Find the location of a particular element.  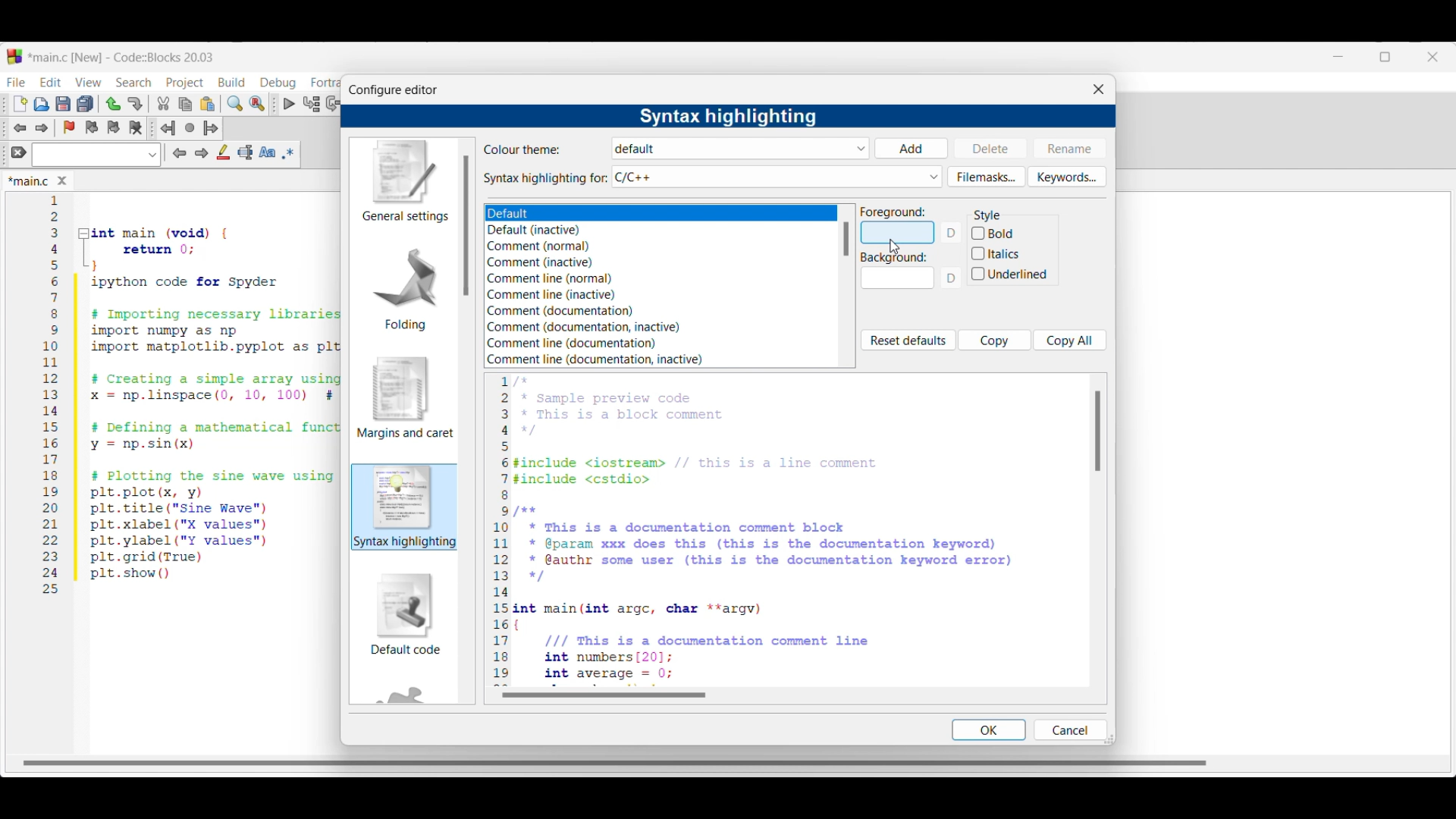

View menu is located at coordinates (88, 83).